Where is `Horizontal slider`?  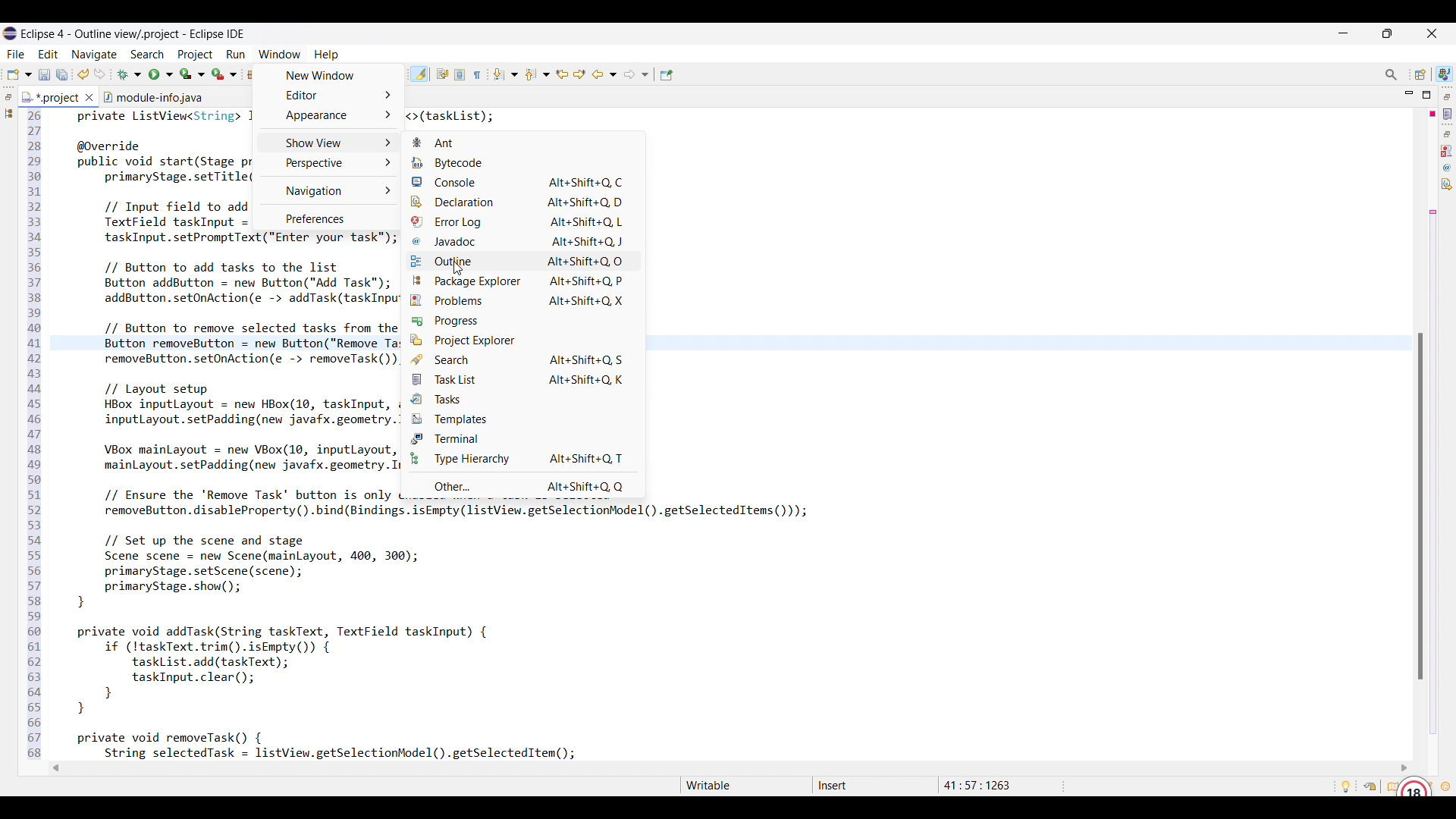 Horizontal slider is located at coordinates (730, 768).